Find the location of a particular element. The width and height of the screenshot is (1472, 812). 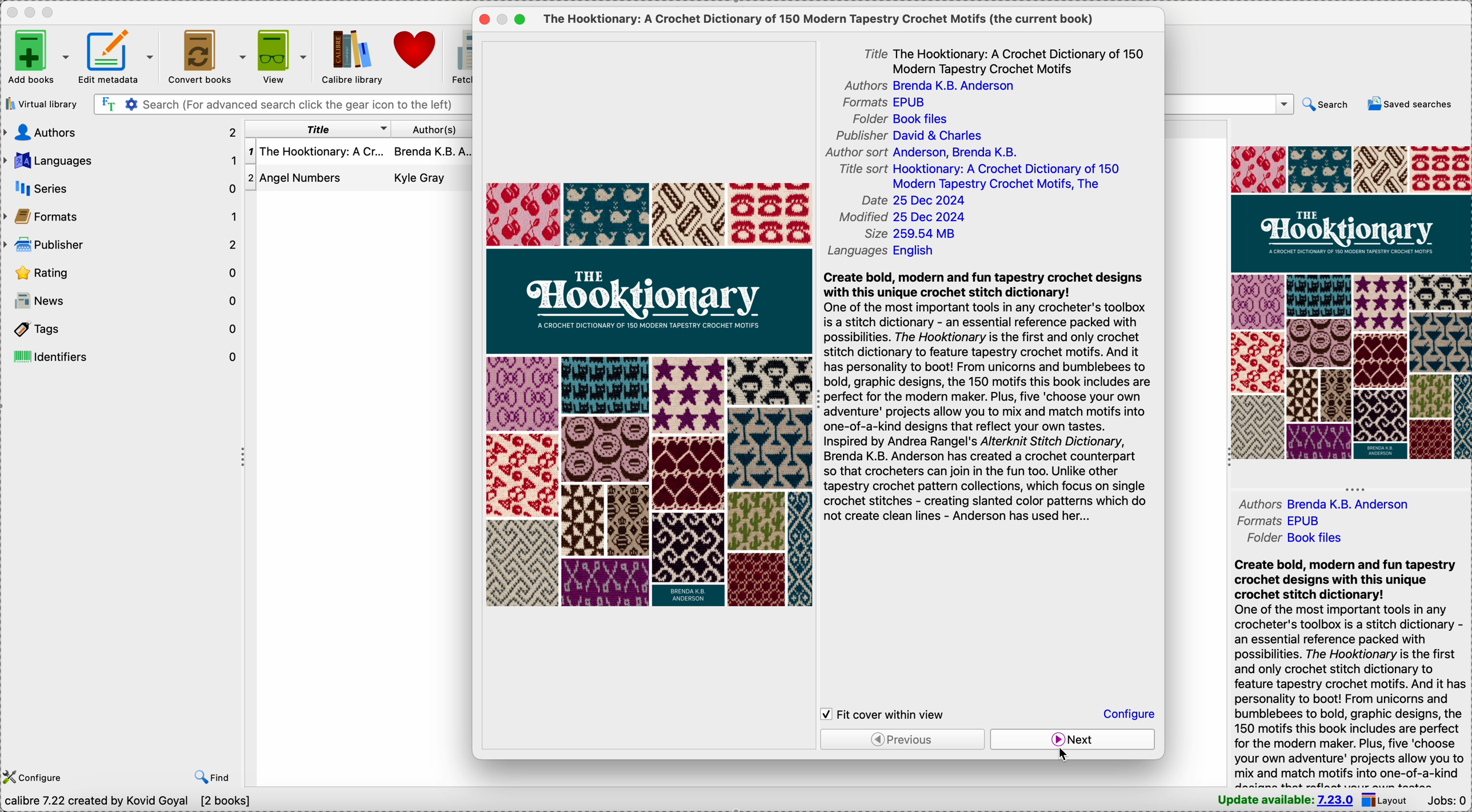

news is located at coordinates (122, 299).